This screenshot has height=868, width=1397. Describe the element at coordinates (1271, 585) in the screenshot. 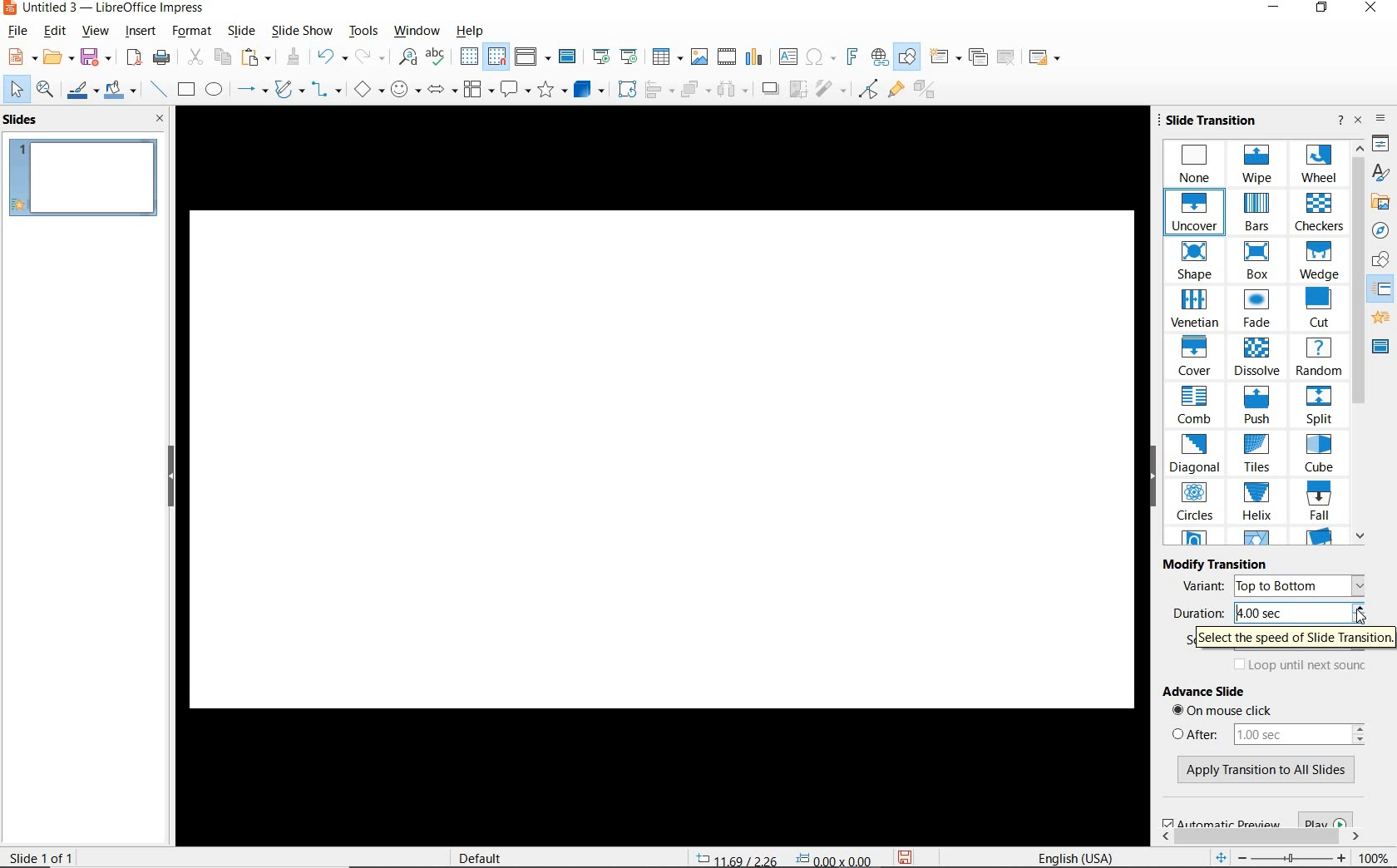

I see `VARIANT` at that location.